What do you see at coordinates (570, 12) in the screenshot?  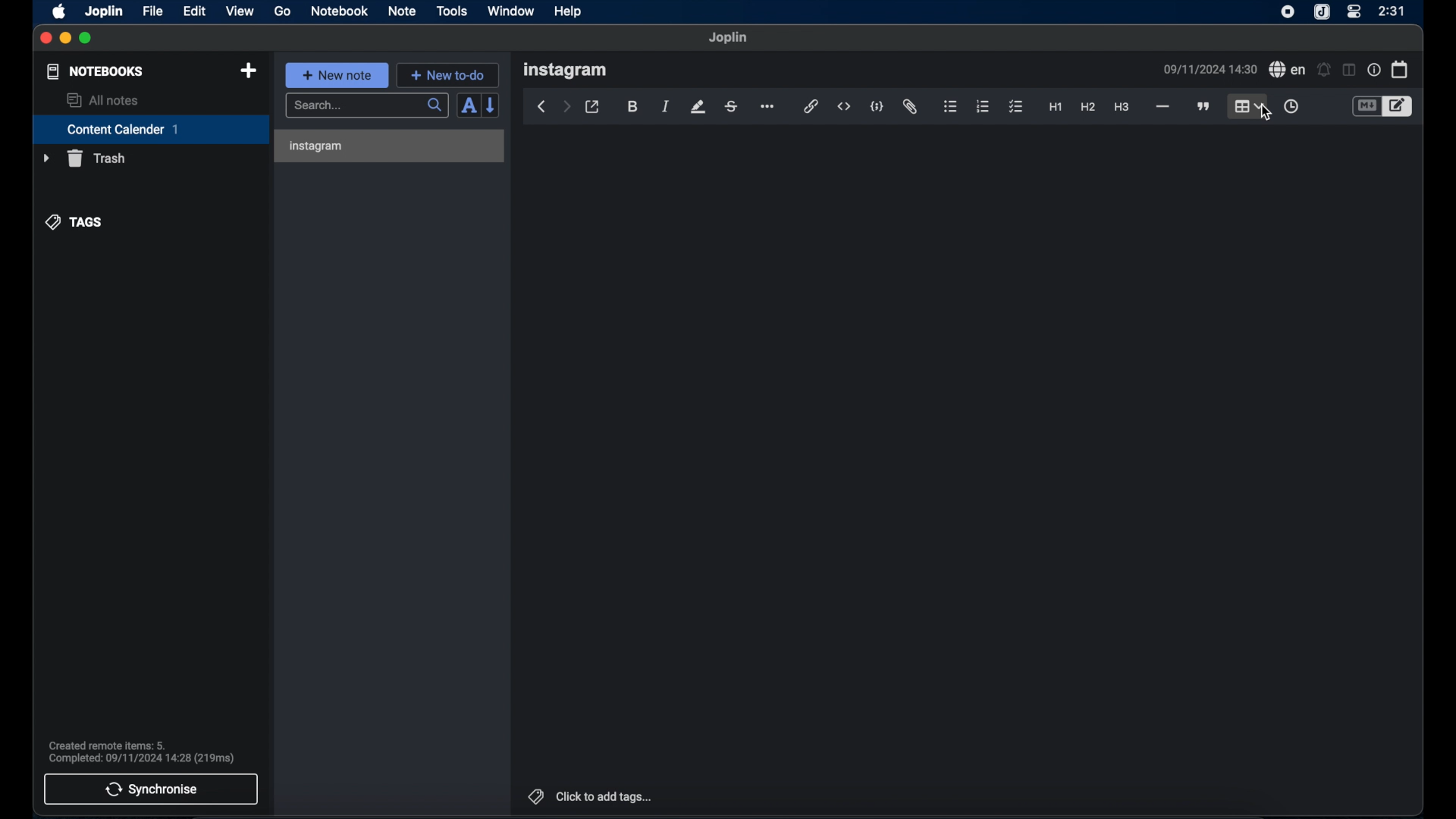 I see `help` at bounding box center [570, 12].